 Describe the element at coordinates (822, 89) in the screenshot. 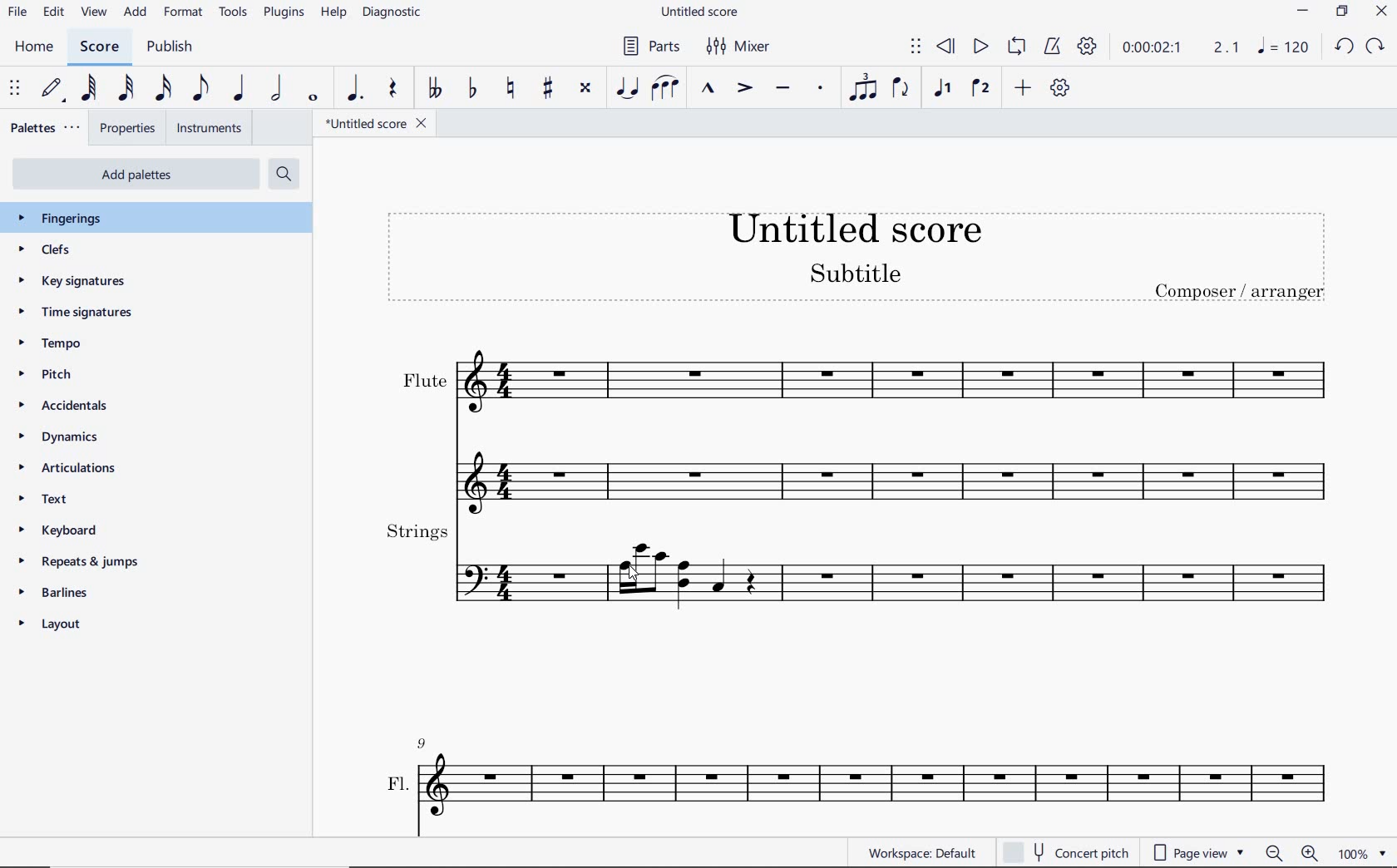

I see `staccato` at that location.